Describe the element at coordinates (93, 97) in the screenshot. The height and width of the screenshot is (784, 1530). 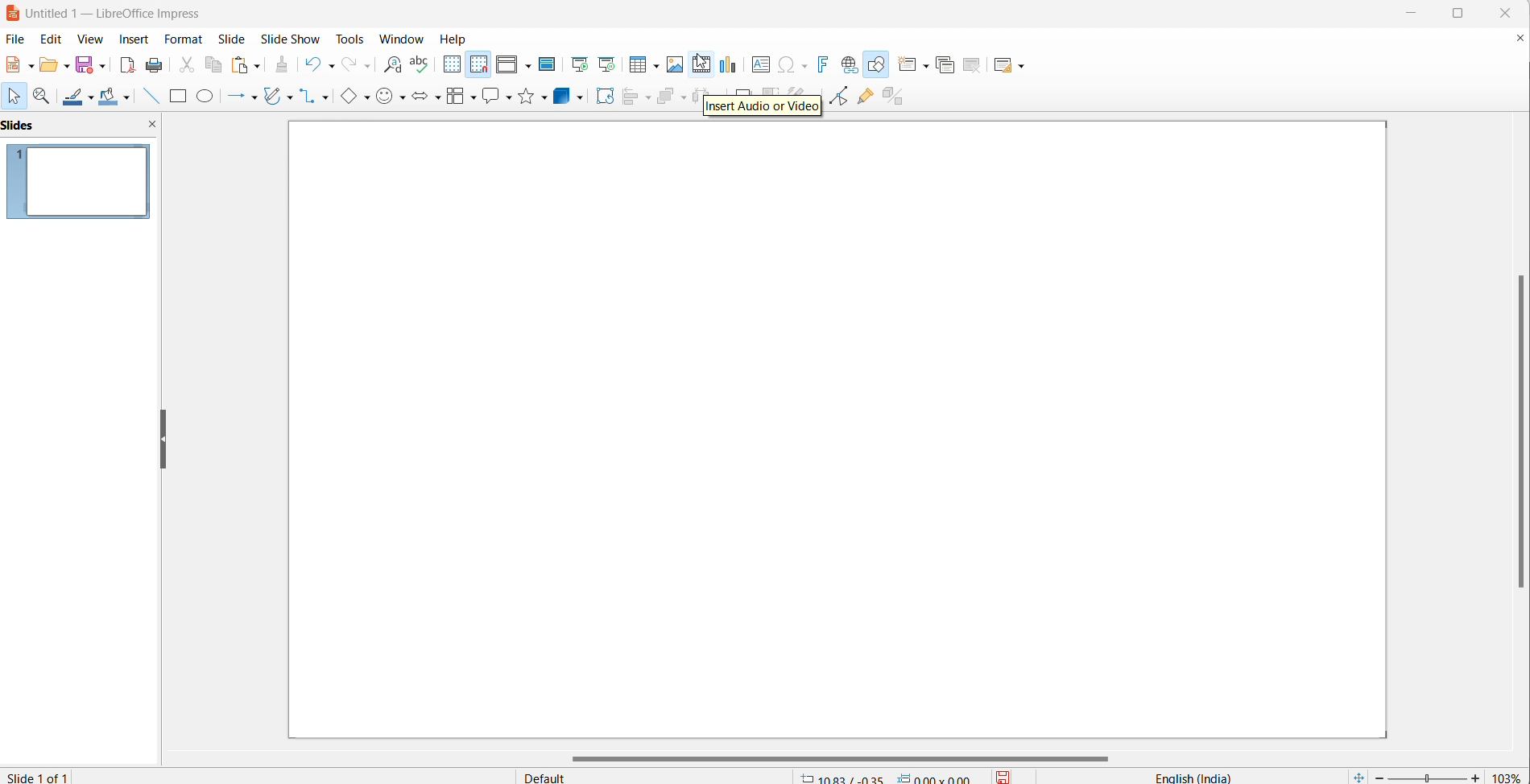
I see `line color` at that location.